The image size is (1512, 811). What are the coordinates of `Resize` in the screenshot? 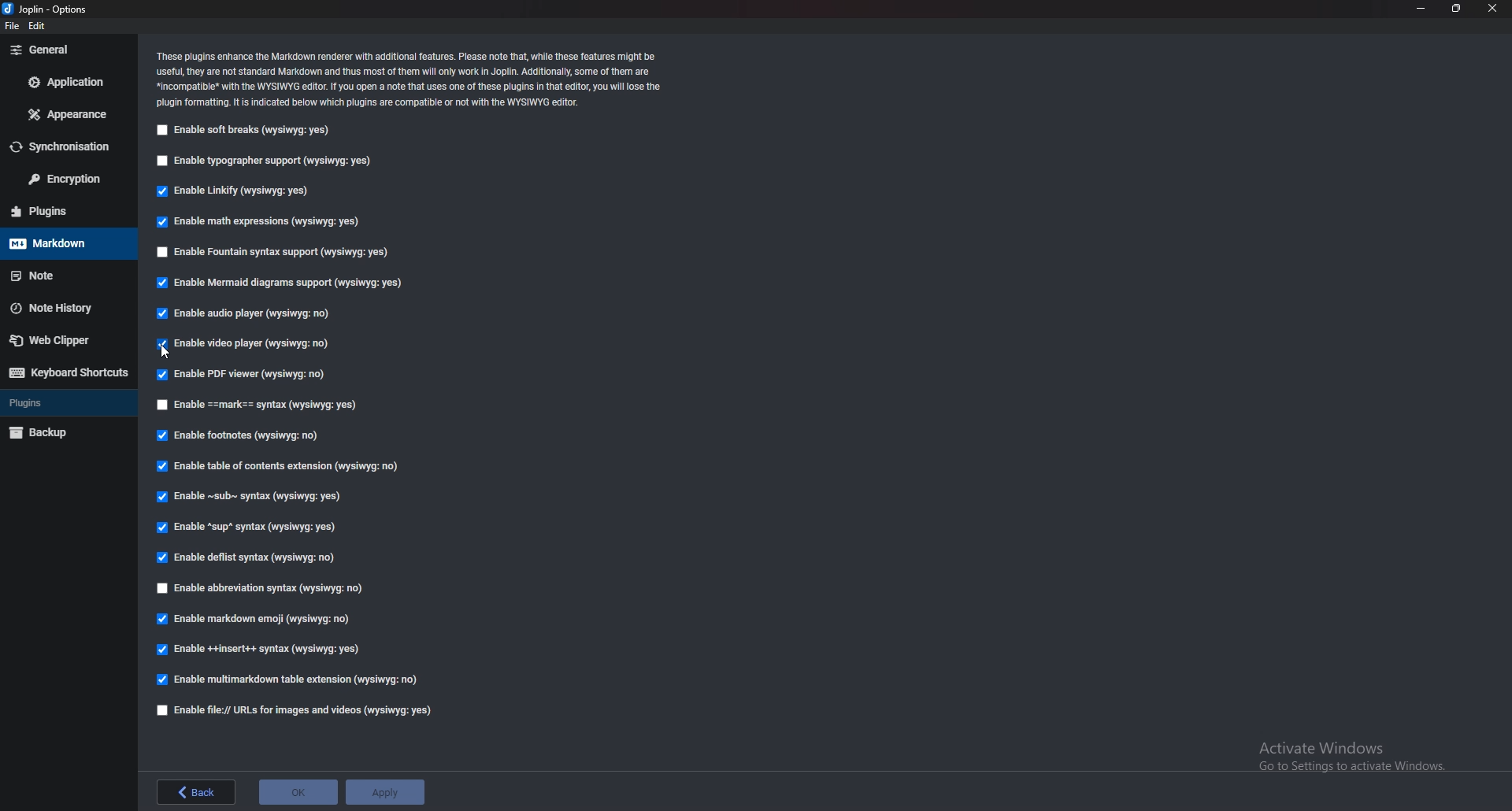 It's located at (1457, 9).